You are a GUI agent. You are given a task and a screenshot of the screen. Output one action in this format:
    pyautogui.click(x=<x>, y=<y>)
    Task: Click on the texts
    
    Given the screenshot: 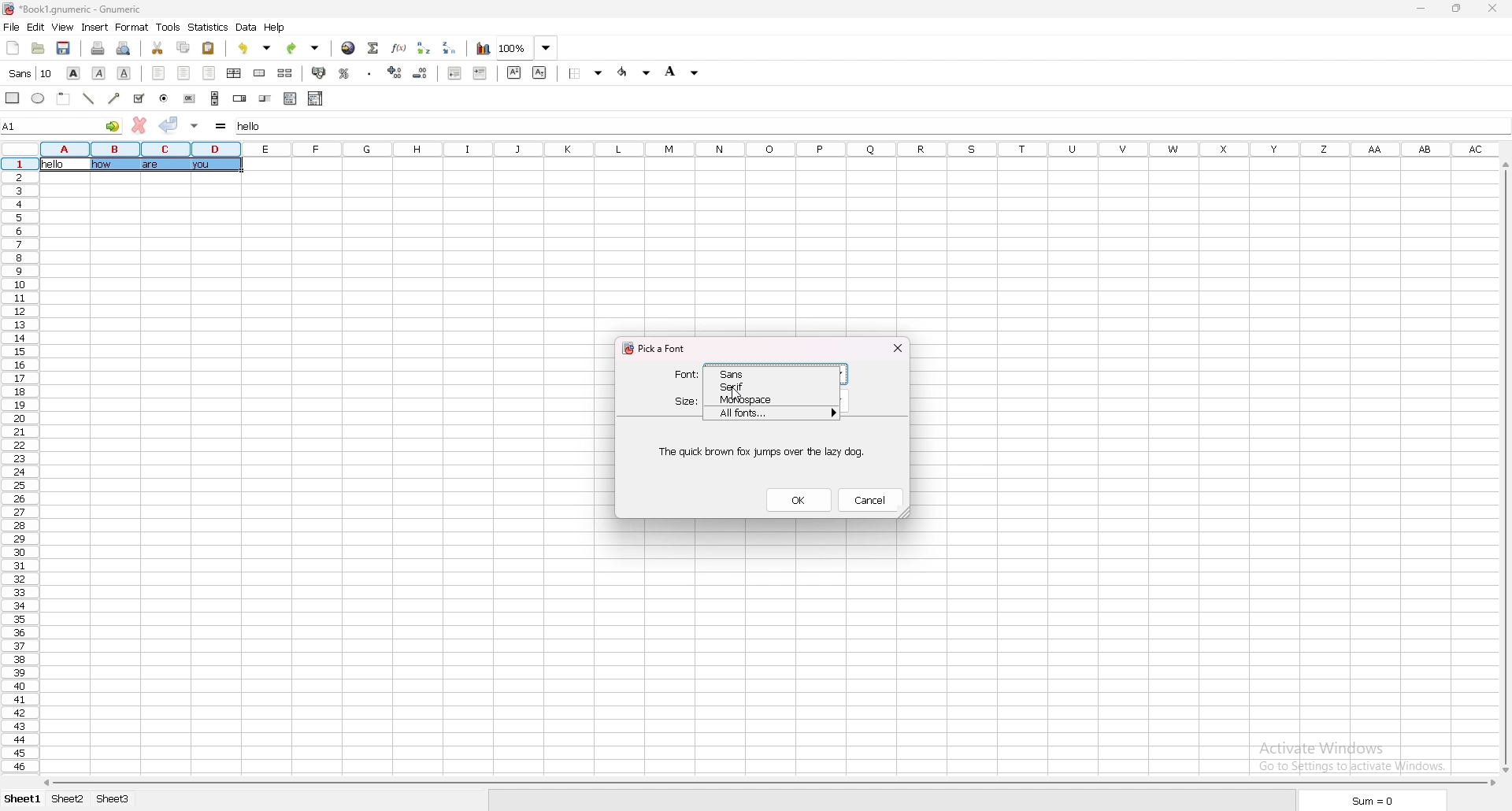 What is the action you would take?
    pyautogui.click(x=166, y=165)
    